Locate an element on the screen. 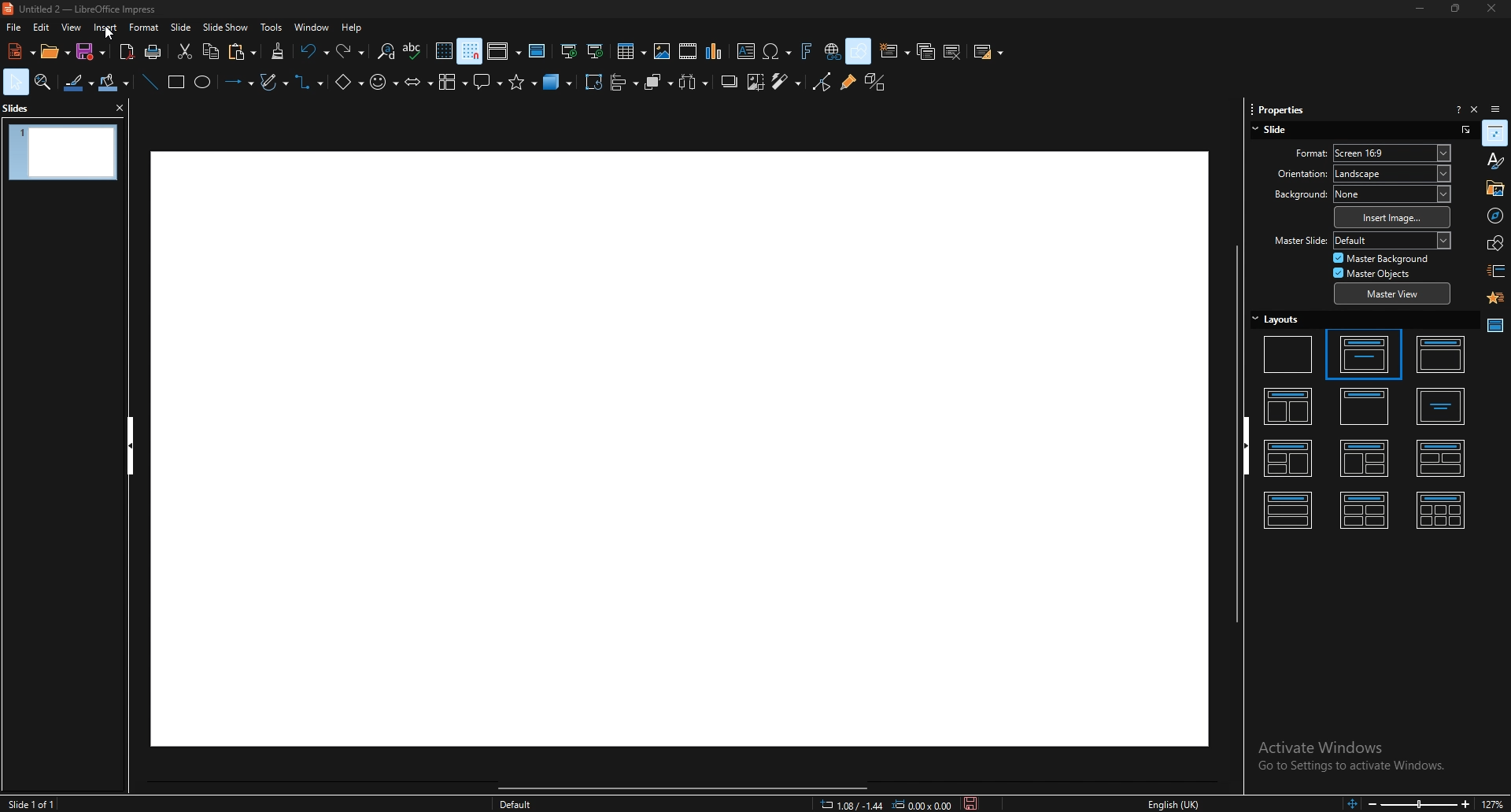 This screenshot has width=1511, height=812. slide 1 of 1 is located at coordinates (35, 802).